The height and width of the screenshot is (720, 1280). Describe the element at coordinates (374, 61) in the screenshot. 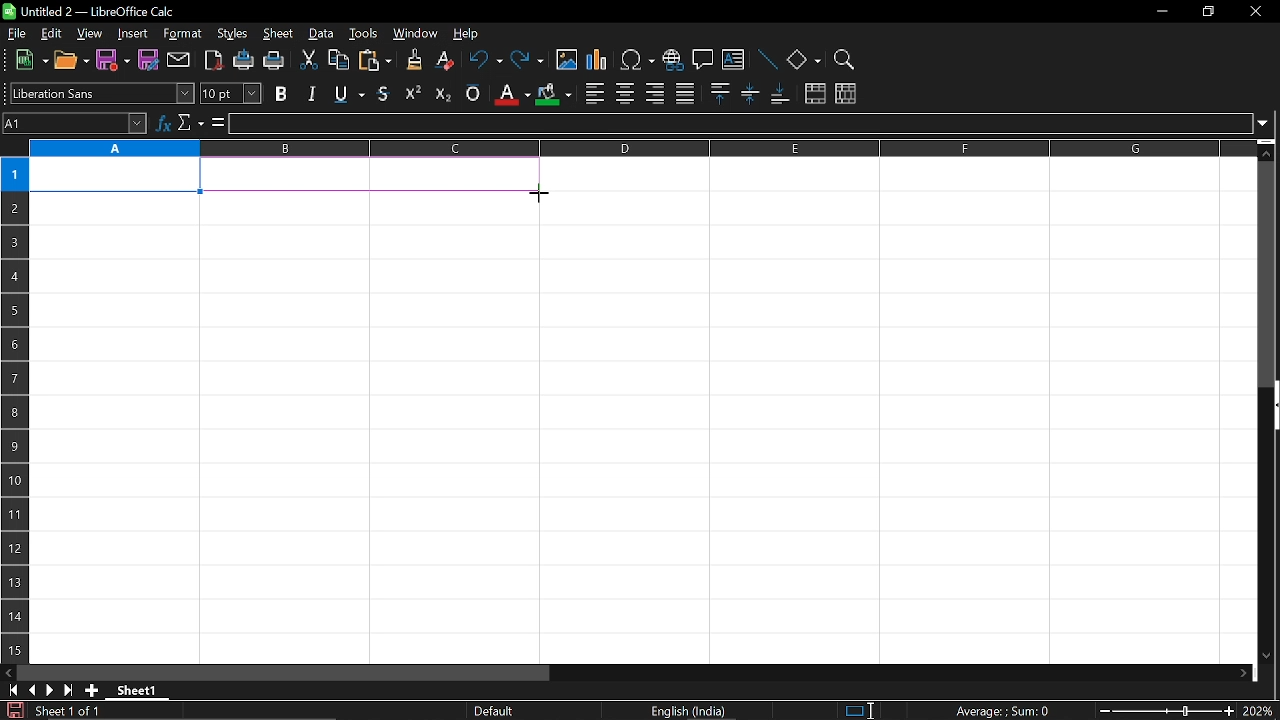

I see `paste` at that location.